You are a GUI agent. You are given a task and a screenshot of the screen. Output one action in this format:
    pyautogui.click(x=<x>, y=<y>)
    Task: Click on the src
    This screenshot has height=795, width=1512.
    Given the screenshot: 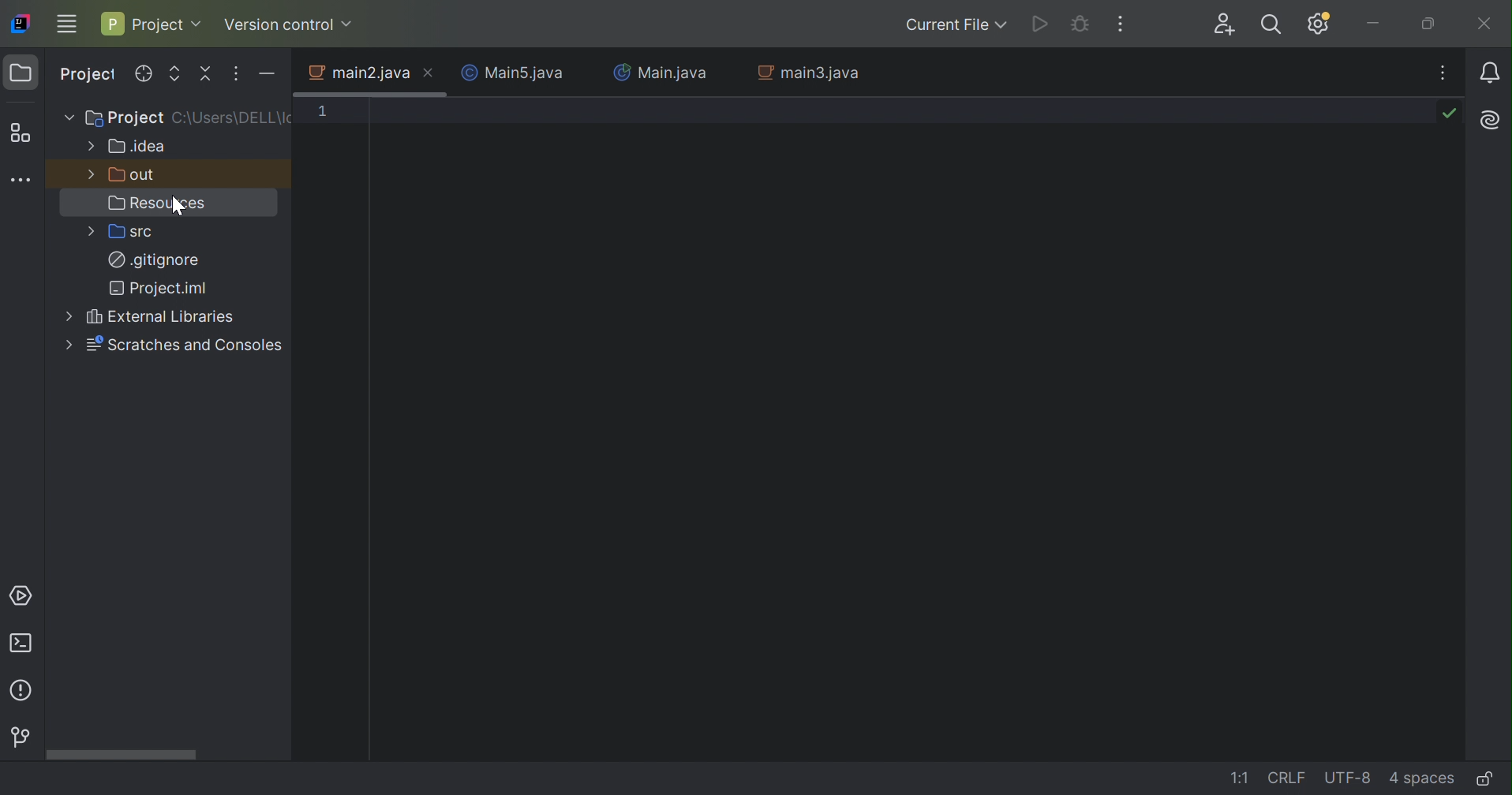 What is the action you would take?
    pyautogui.click(x=134, y=232)
    